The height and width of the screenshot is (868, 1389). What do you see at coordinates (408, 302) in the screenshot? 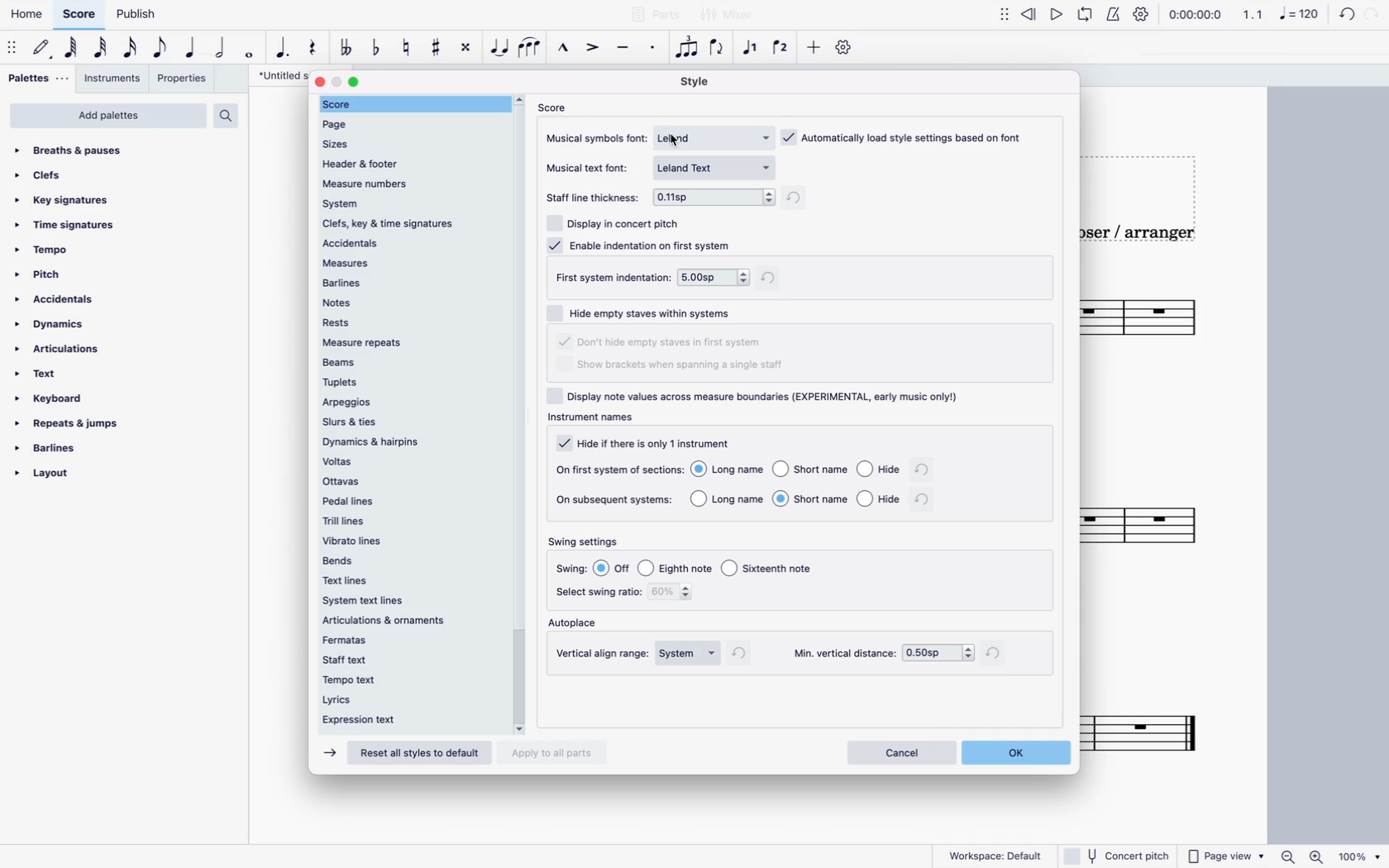
I see `notes` at bounding box center [408, 302].